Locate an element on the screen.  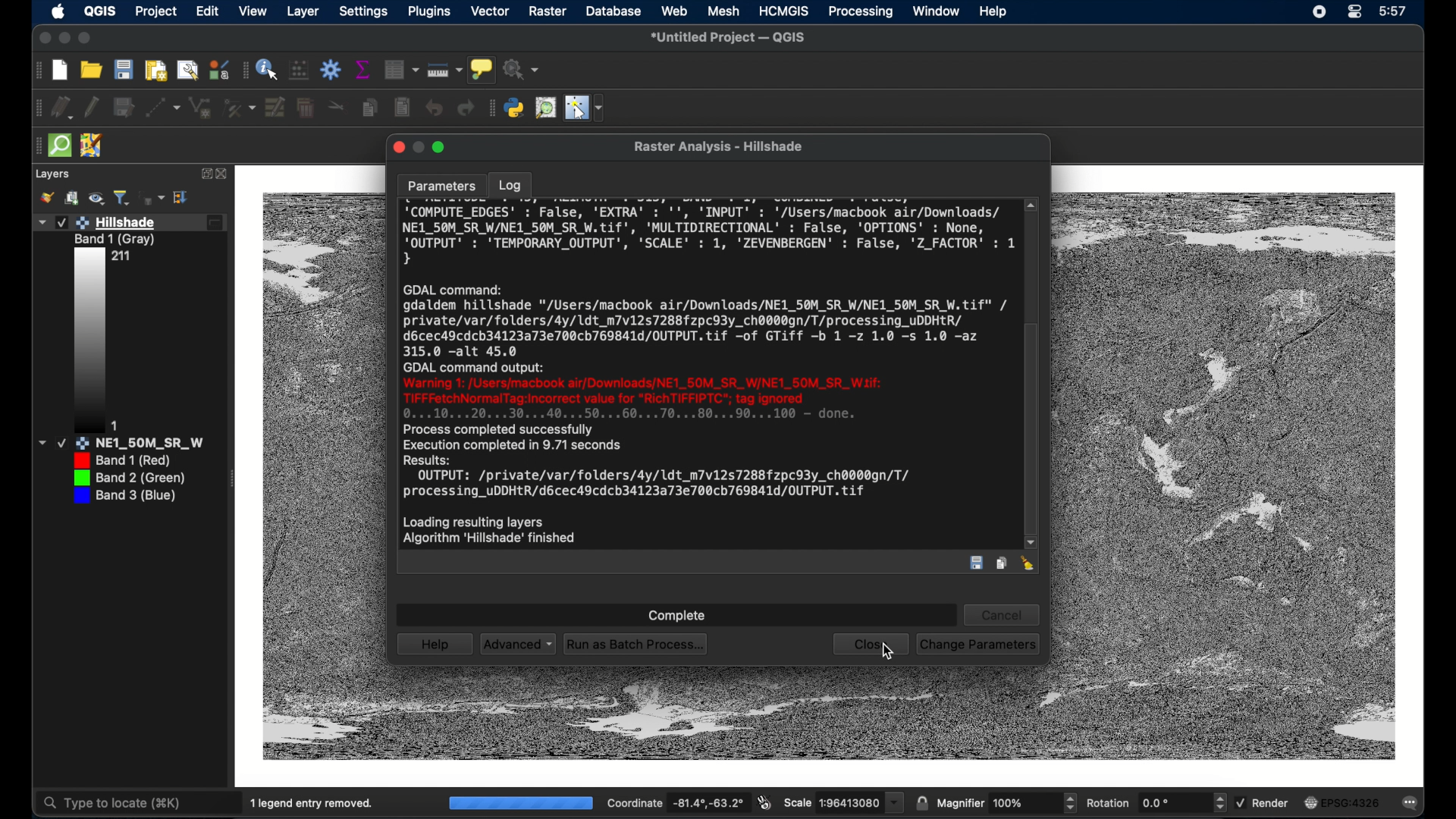
processing is located at coordinates (861, 13).